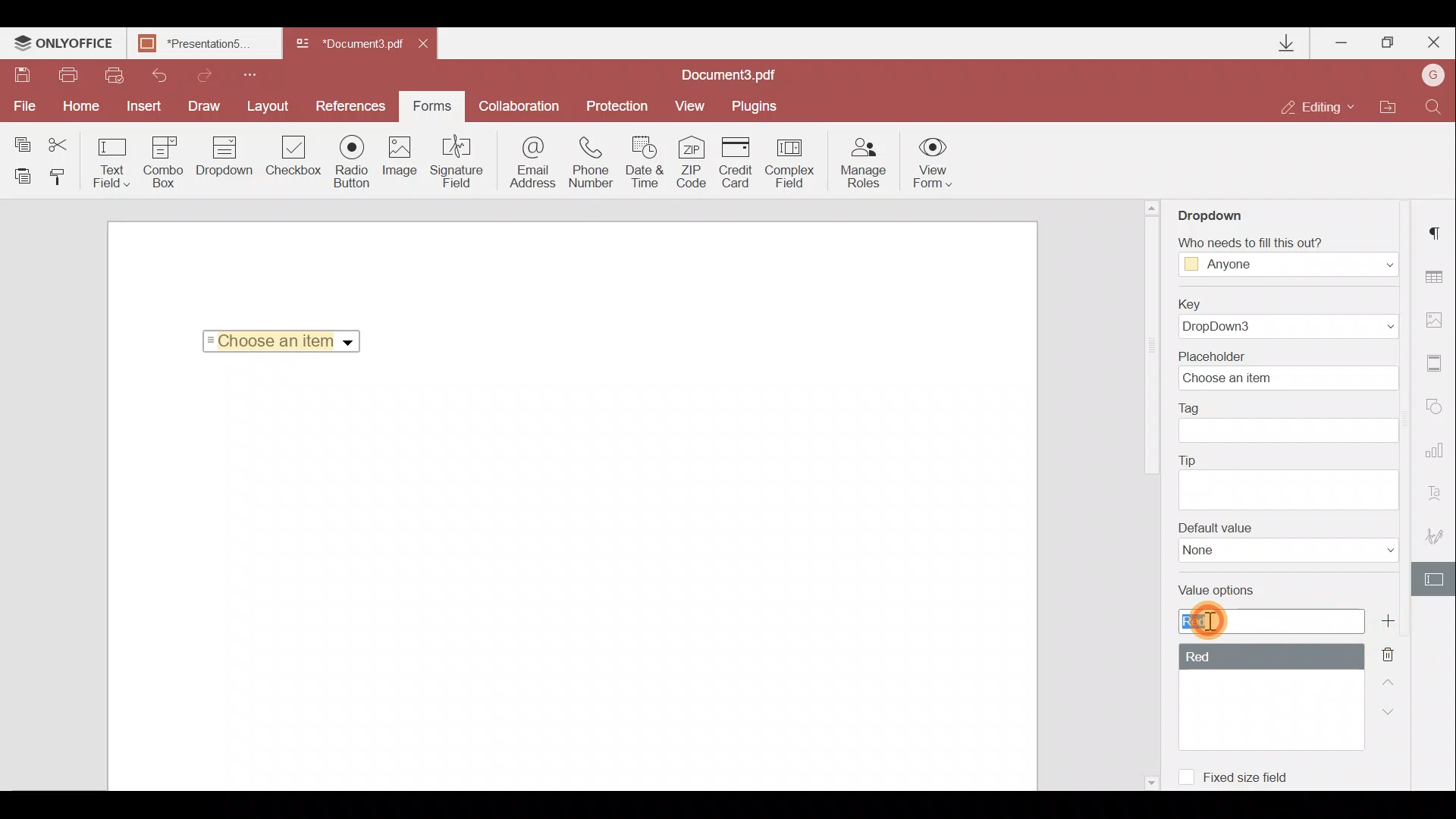 This screenshot has height=819, width=1456. Describe the element at coordinates (350, 343) in the screenshot. I see `Dropdown` at that location.